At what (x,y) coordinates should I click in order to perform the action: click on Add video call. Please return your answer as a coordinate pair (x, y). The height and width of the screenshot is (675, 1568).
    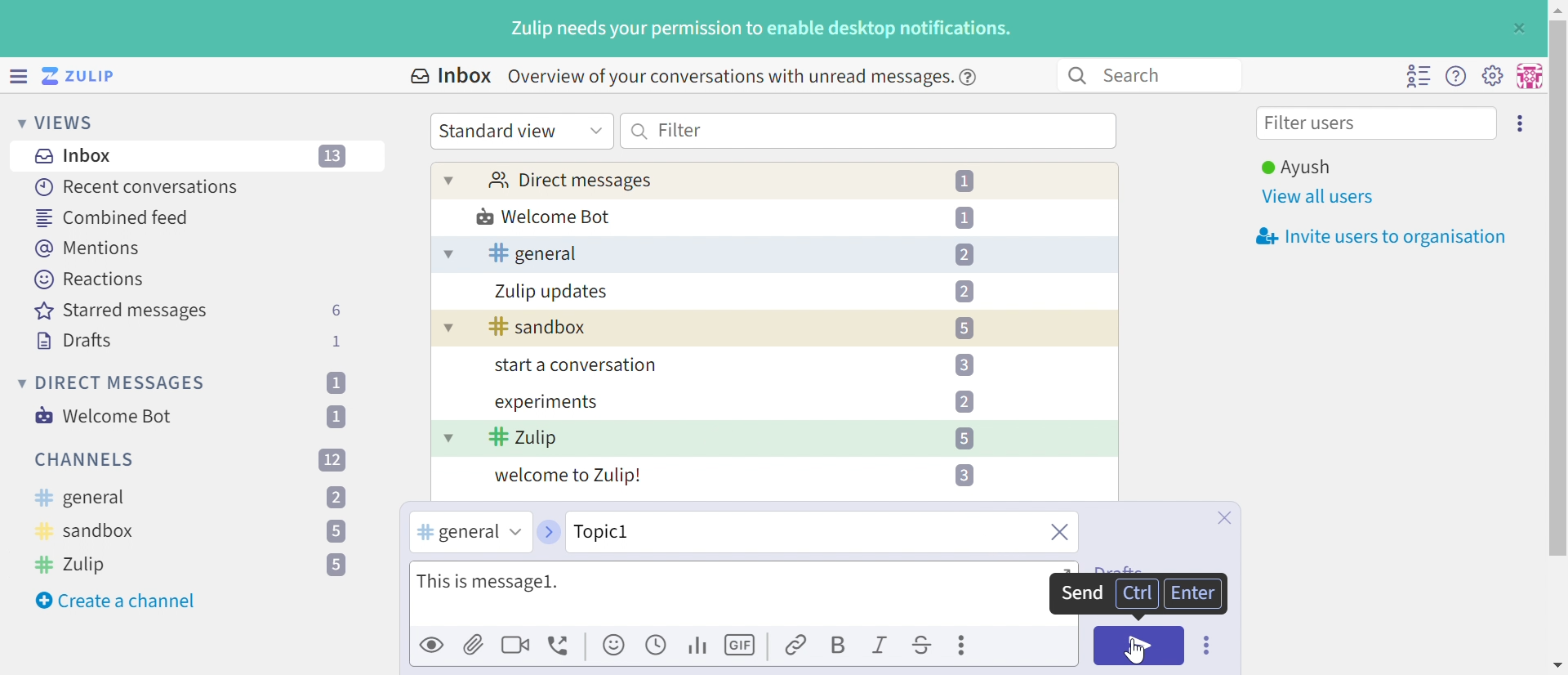
    Looking at the image, I should click on (515, 644).